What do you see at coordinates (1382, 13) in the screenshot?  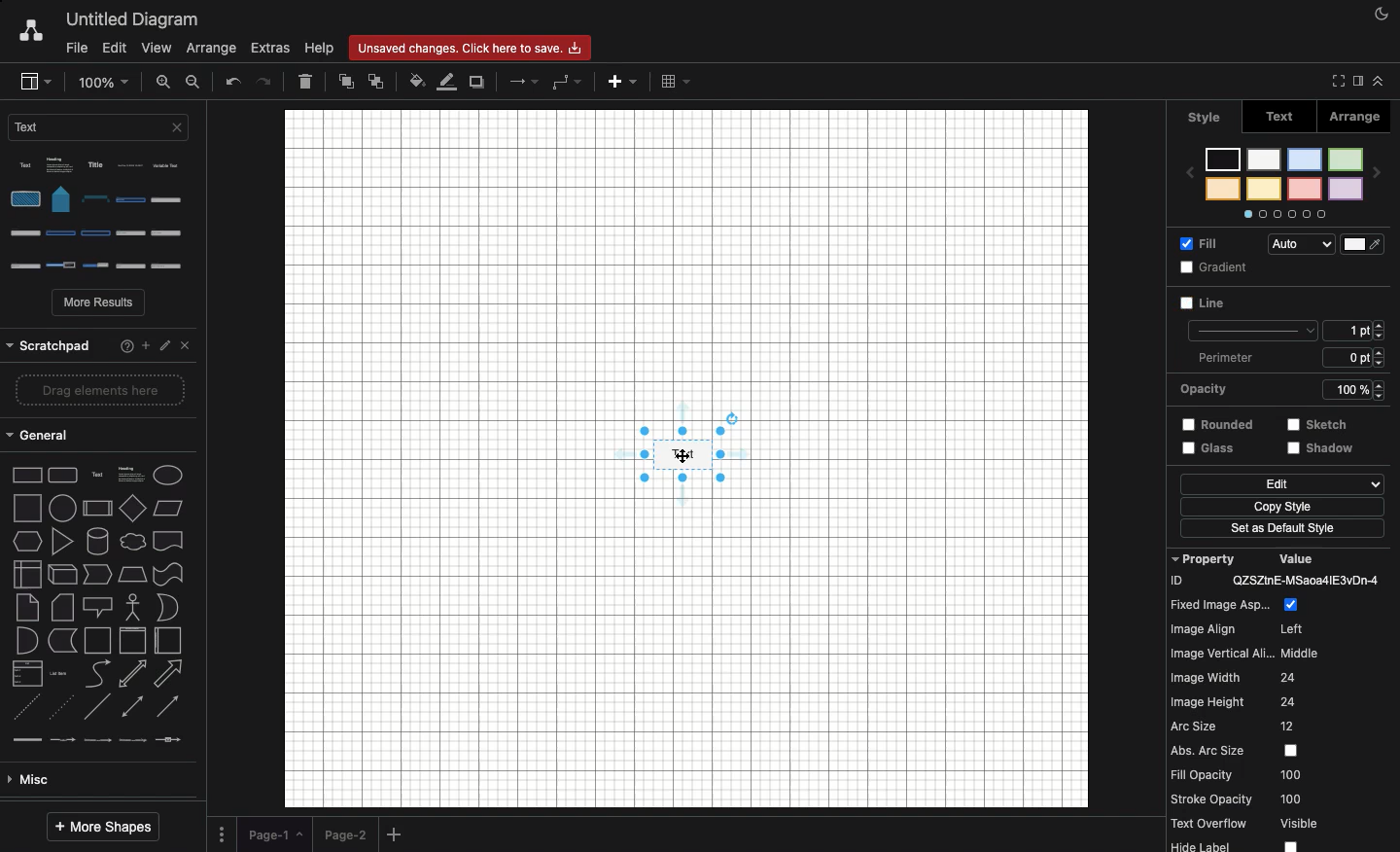 I see `Night ` at bounding box center [1382, 13].